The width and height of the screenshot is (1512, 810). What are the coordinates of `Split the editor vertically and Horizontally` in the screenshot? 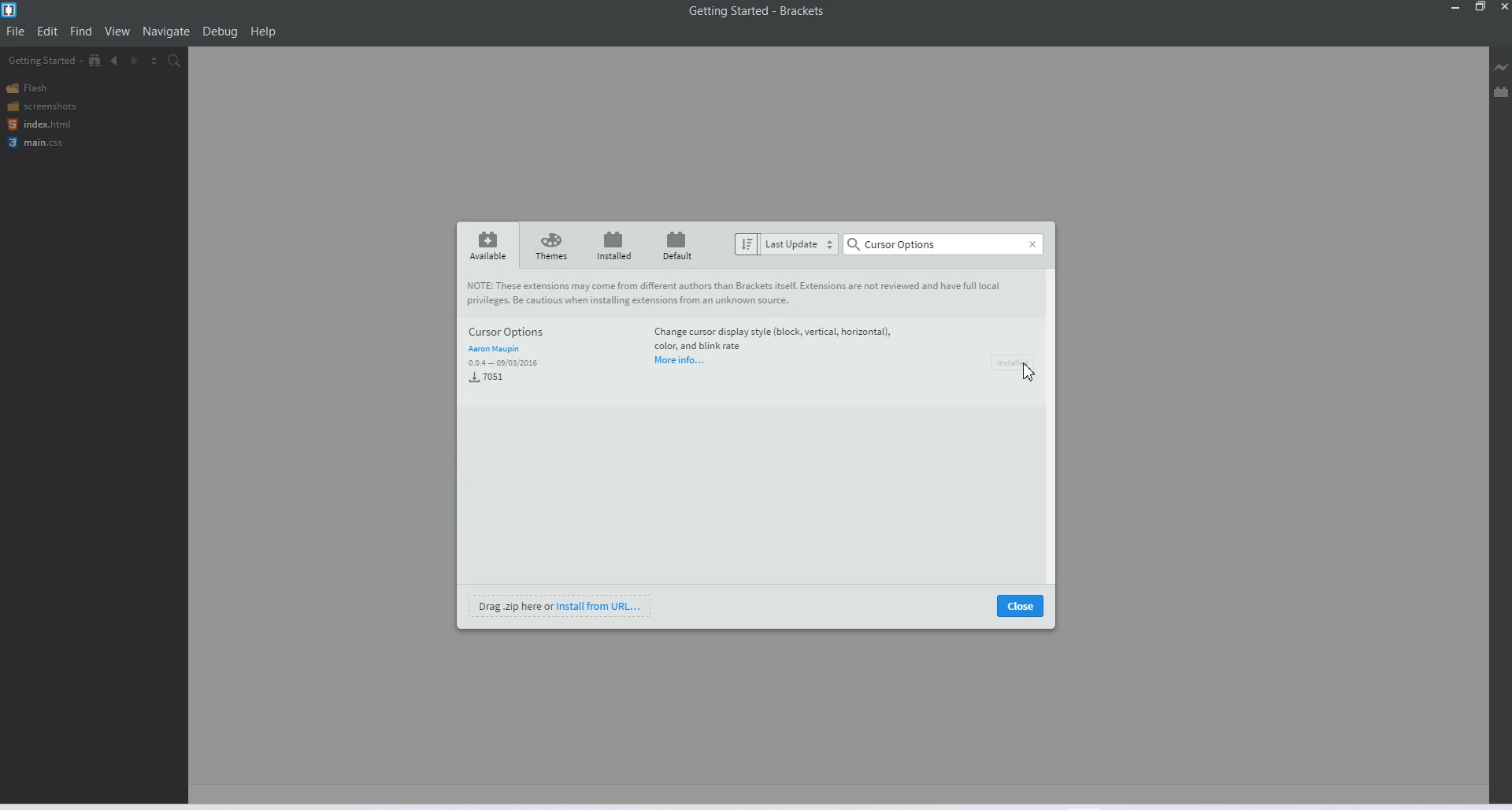 It's located at (154, 60).